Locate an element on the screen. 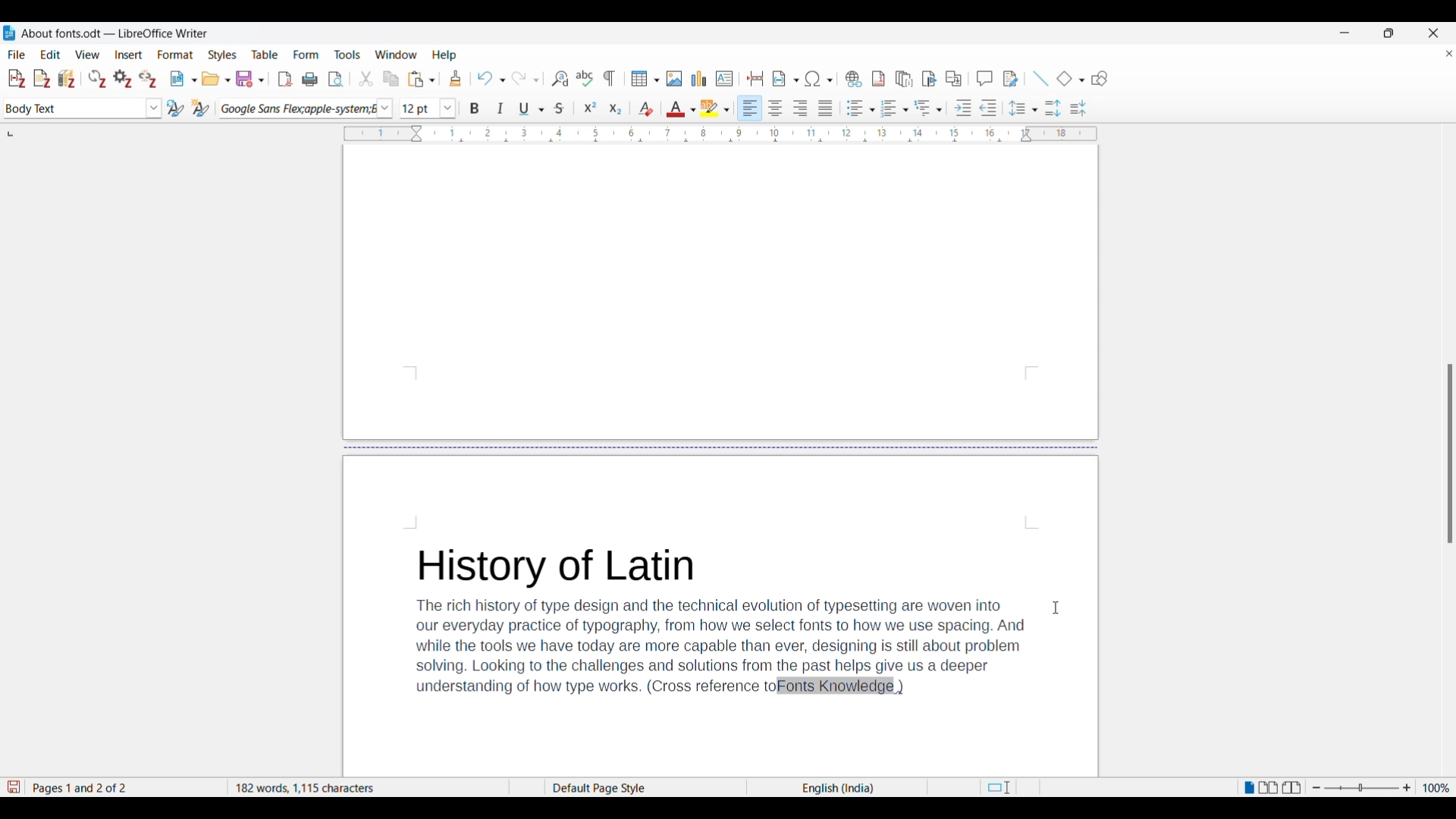 Image resolution: width=1456 pixels, height=819 pixels. Show track changes functions is located at coordinates (1010, 79).